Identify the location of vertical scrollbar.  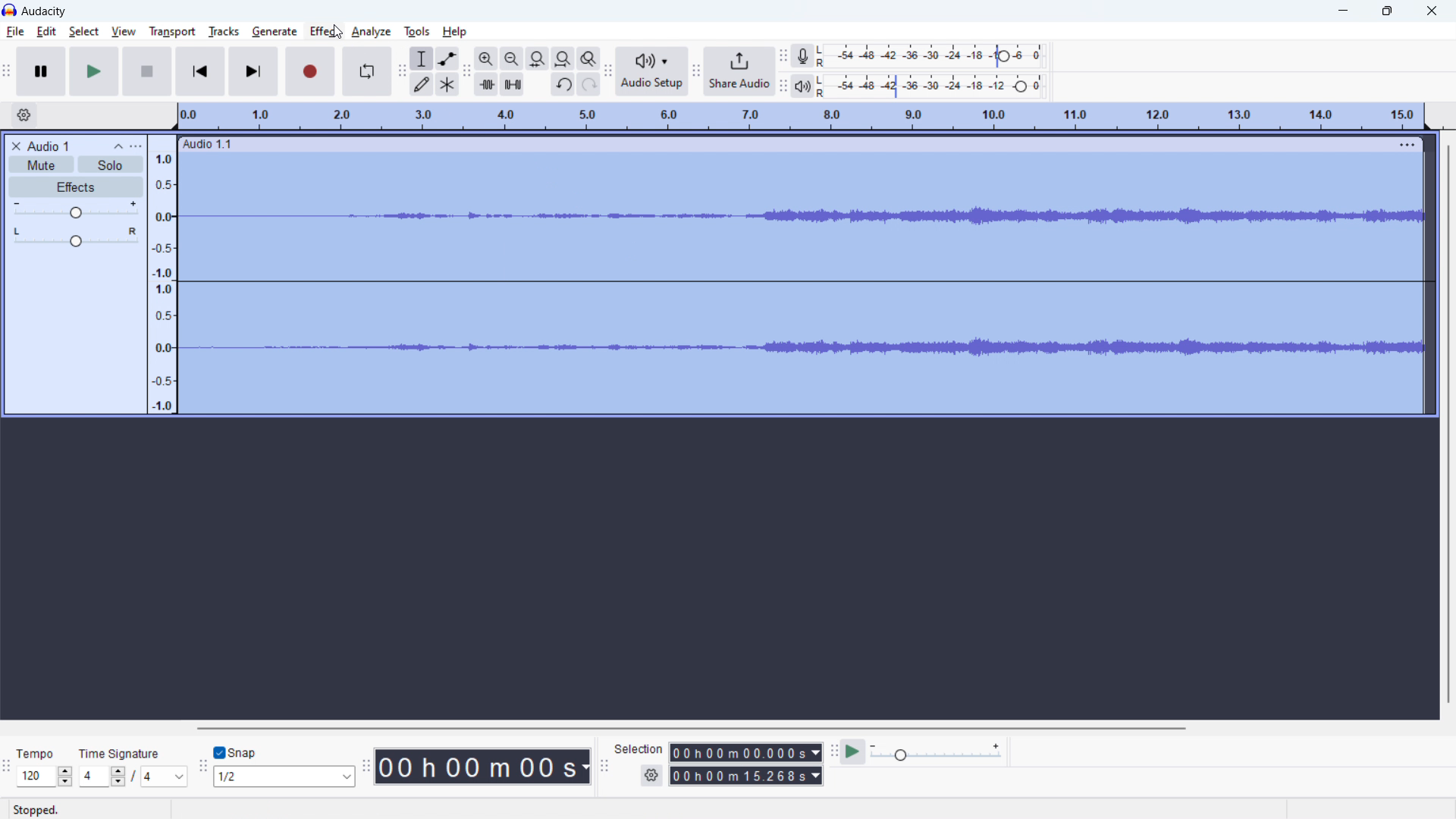
(1448, 424).